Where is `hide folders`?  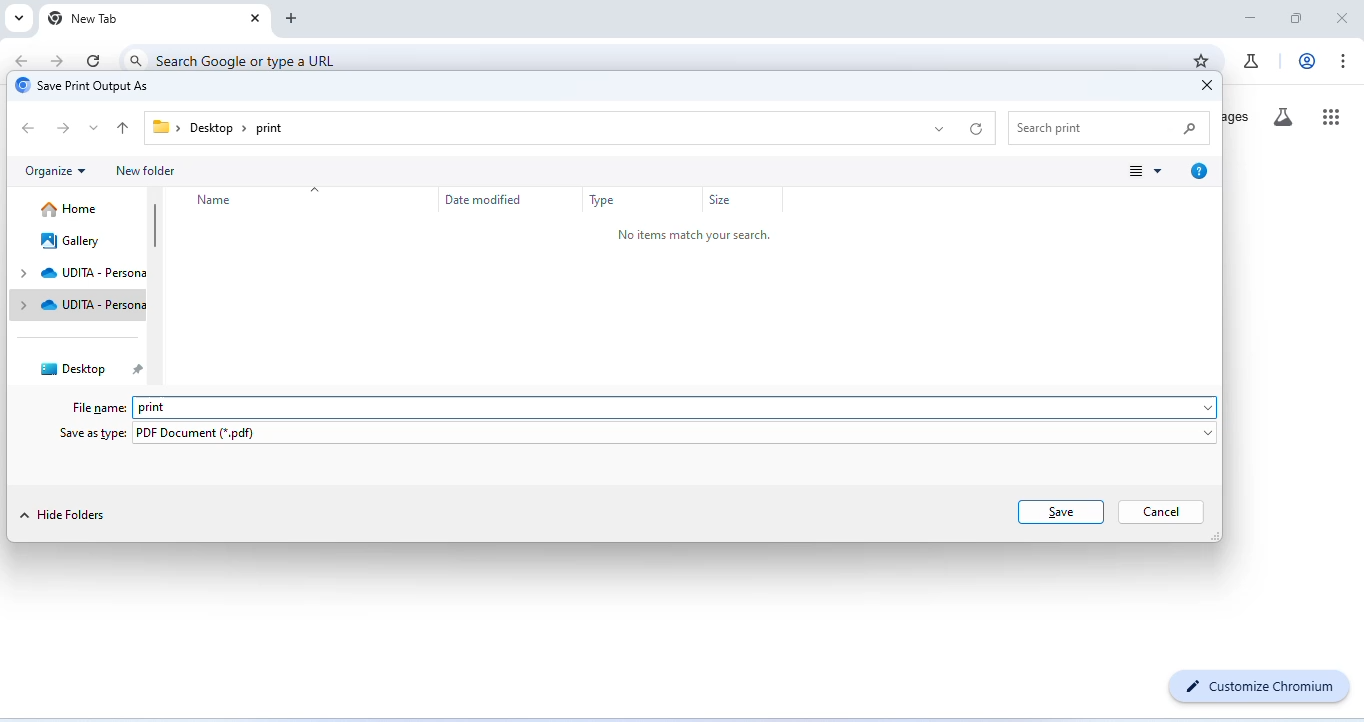 hide folders is located at coordinates (69, 514).